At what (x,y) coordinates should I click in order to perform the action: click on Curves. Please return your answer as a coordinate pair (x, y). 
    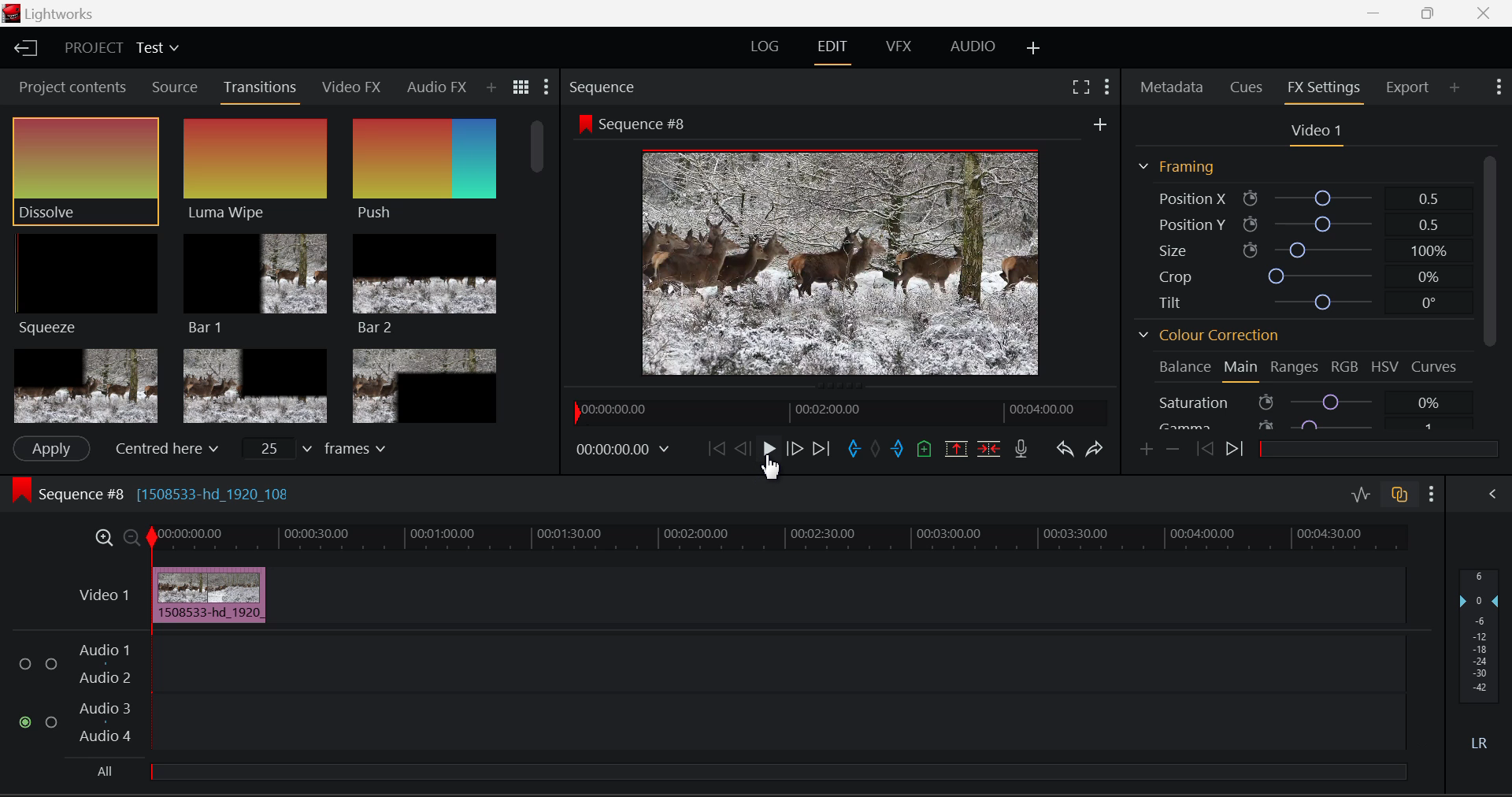
    Looking at the image, I should click on (1436, 367).